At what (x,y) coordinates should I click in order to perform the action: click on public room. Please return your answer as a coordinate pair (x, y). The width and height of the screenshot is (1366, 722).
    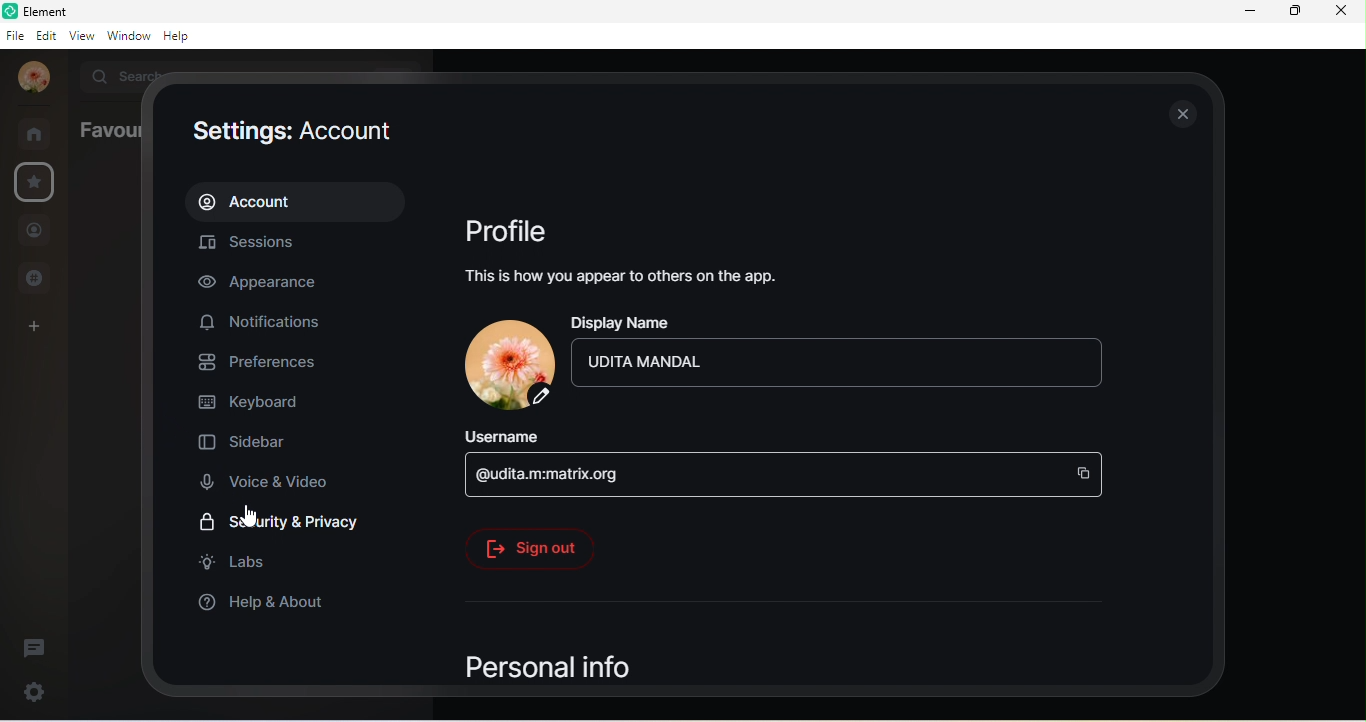
    Looking at the image, I should click on (41, 277).